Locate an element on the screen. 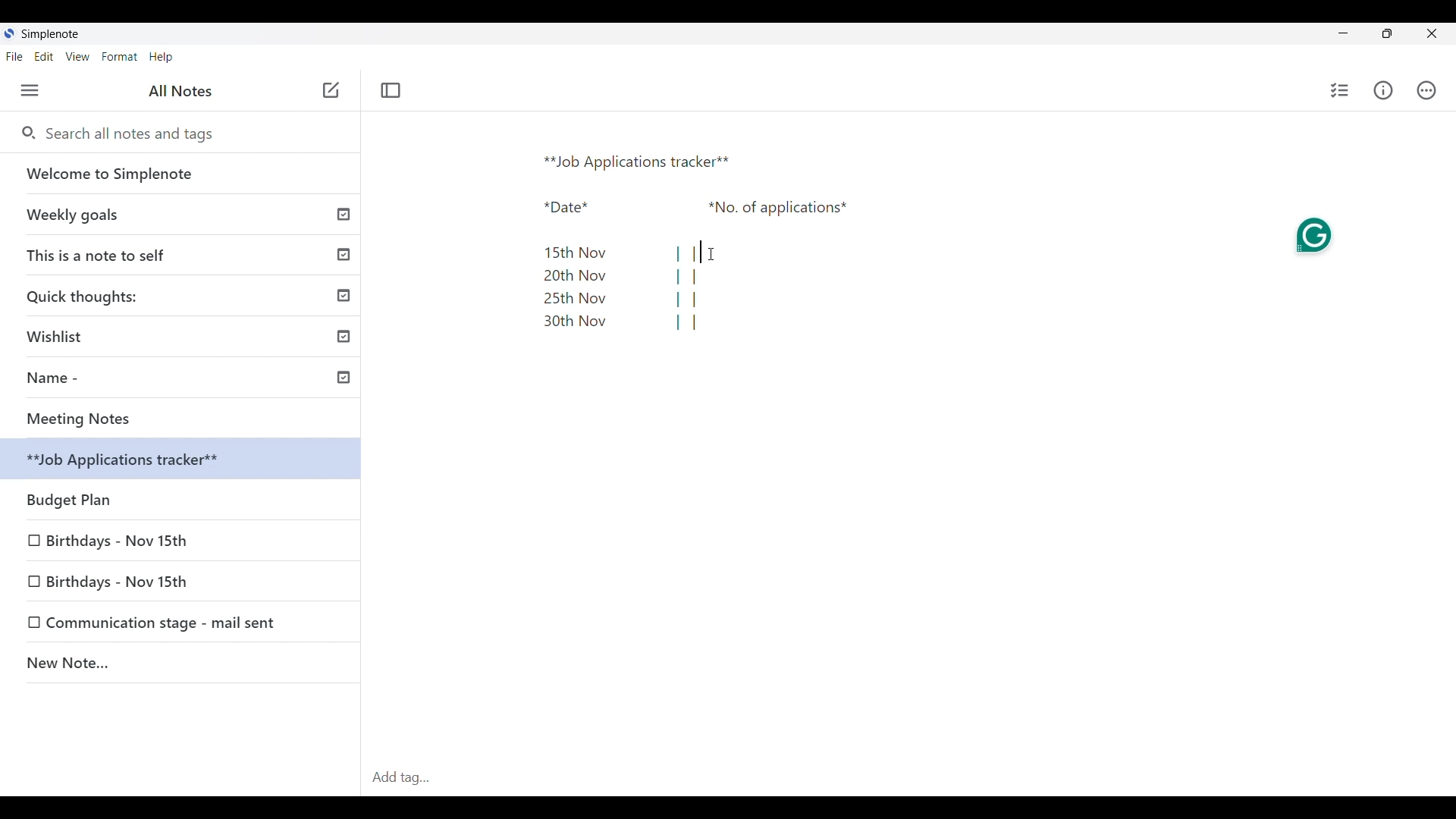 The image size is (1456, 819). Software name is located at coordinates (50, 34).